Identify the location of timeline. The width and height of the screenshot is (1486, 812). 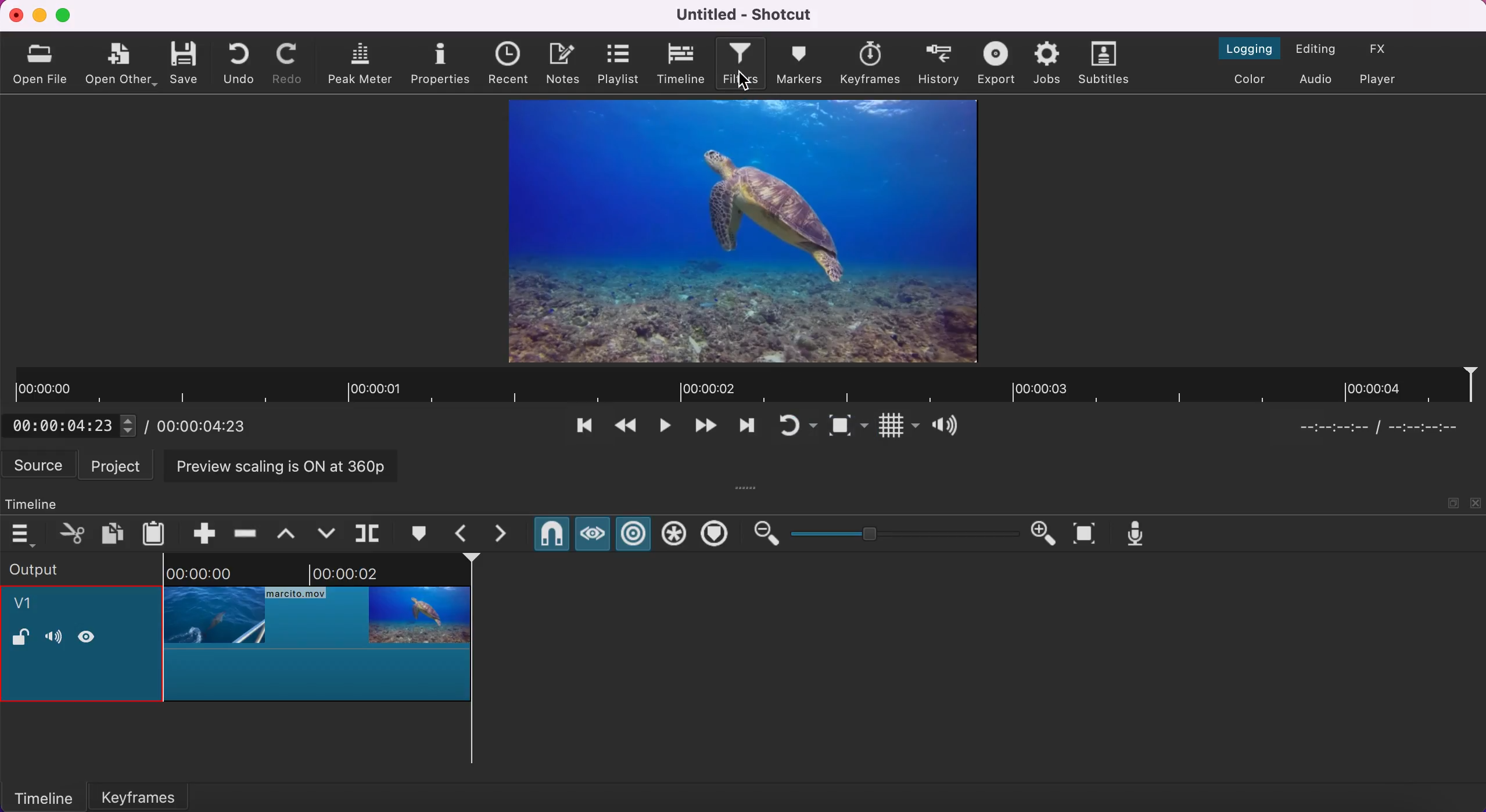
(683, 64).